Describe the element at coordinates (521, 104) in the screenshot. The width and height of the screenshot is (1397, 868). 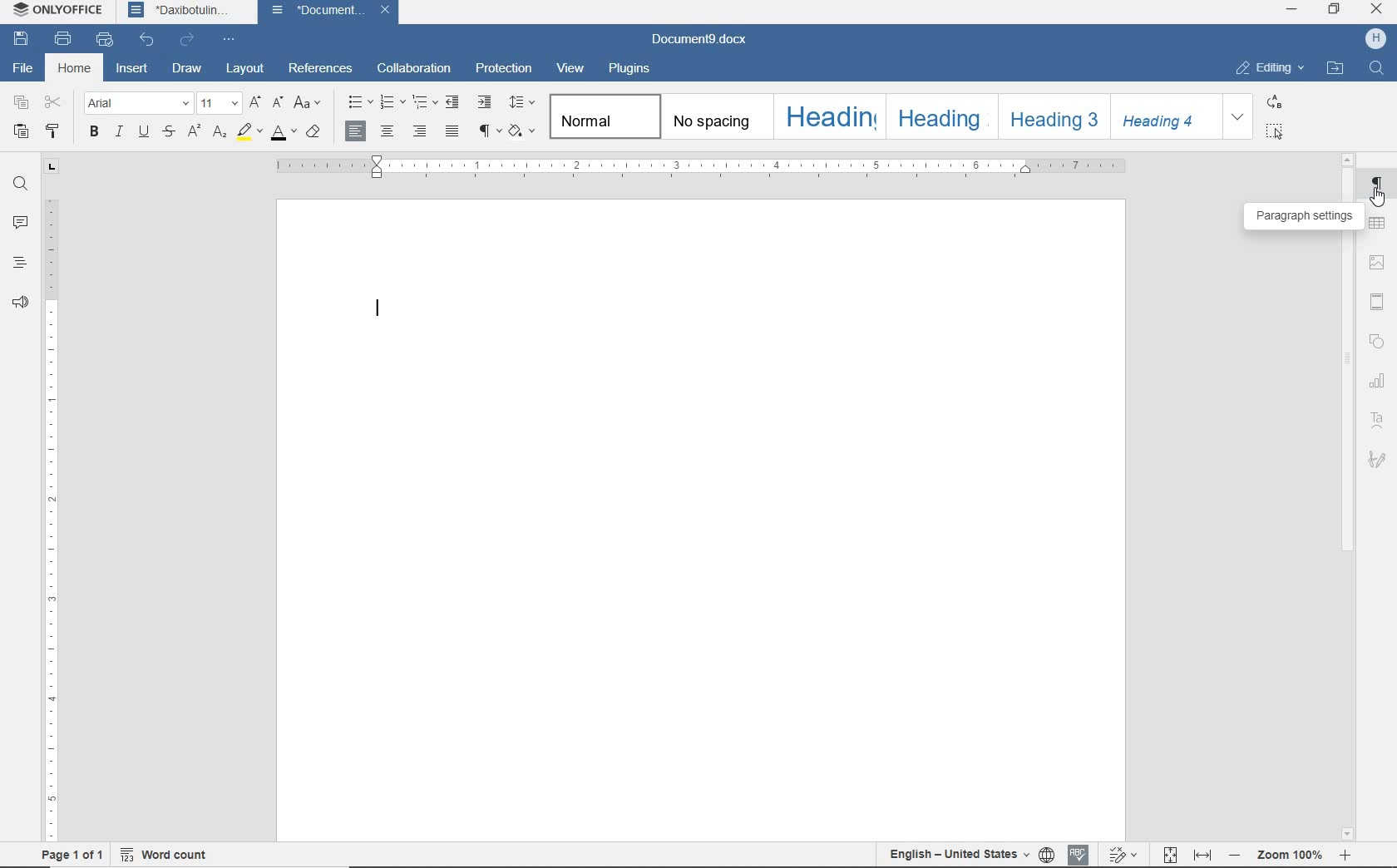
I see `paragraph line spacing` at that location.